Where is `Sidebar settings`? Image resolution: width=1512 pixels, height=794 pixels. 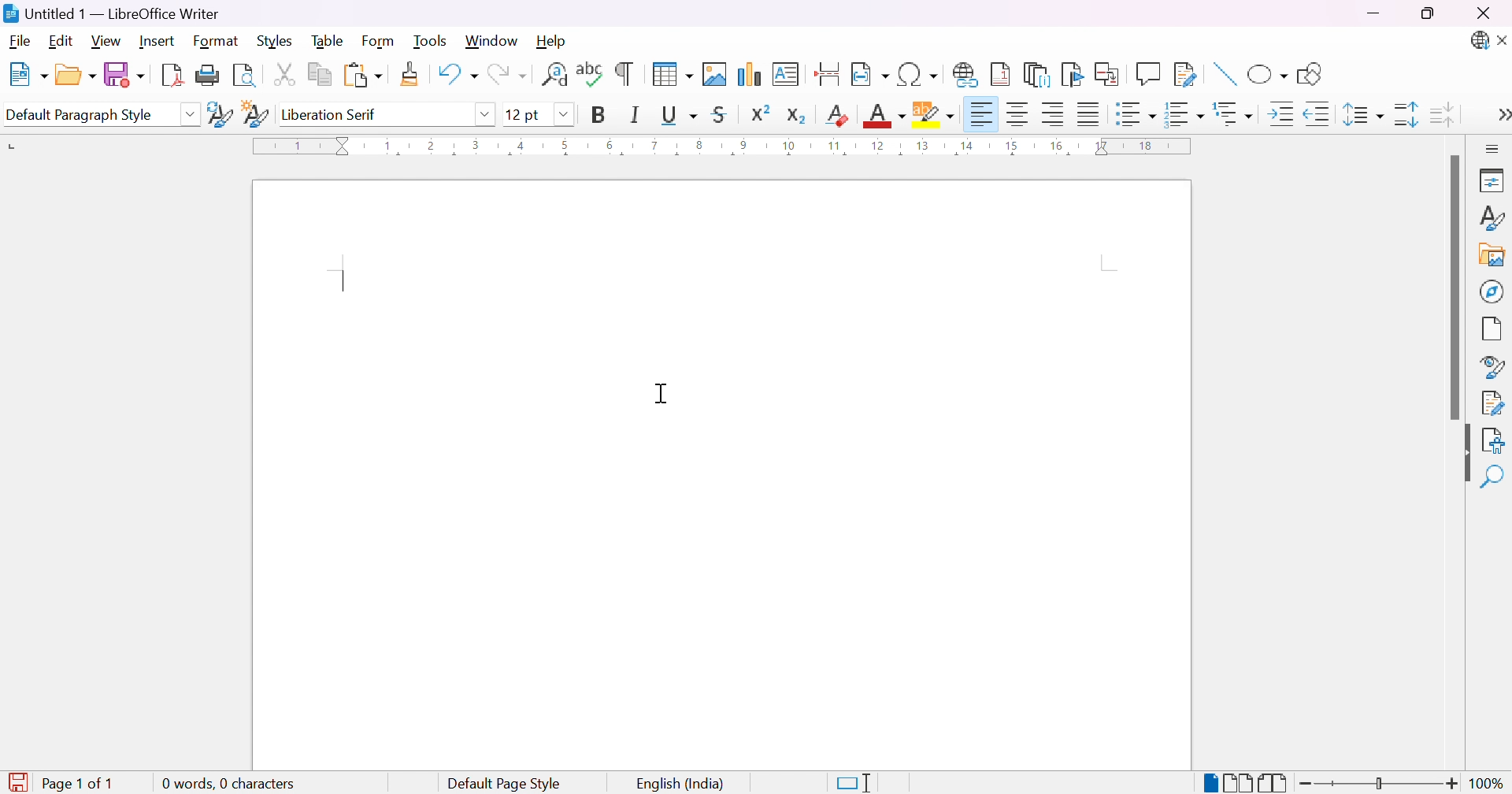 Sidebar settings is located at coordinates (1494, 148).